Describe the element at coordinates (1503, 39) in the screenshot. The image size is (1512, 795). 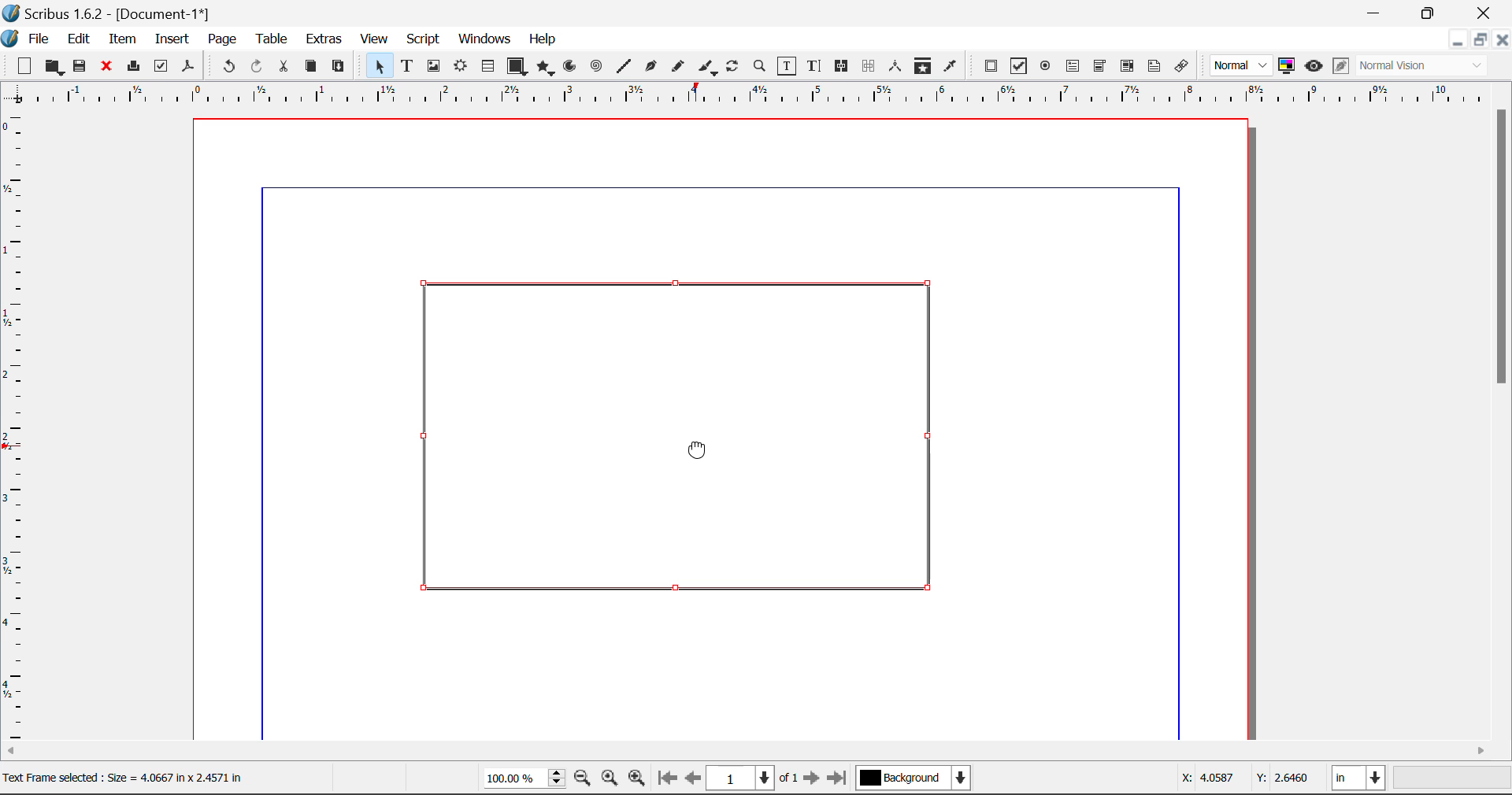
I see `Close` at that location.